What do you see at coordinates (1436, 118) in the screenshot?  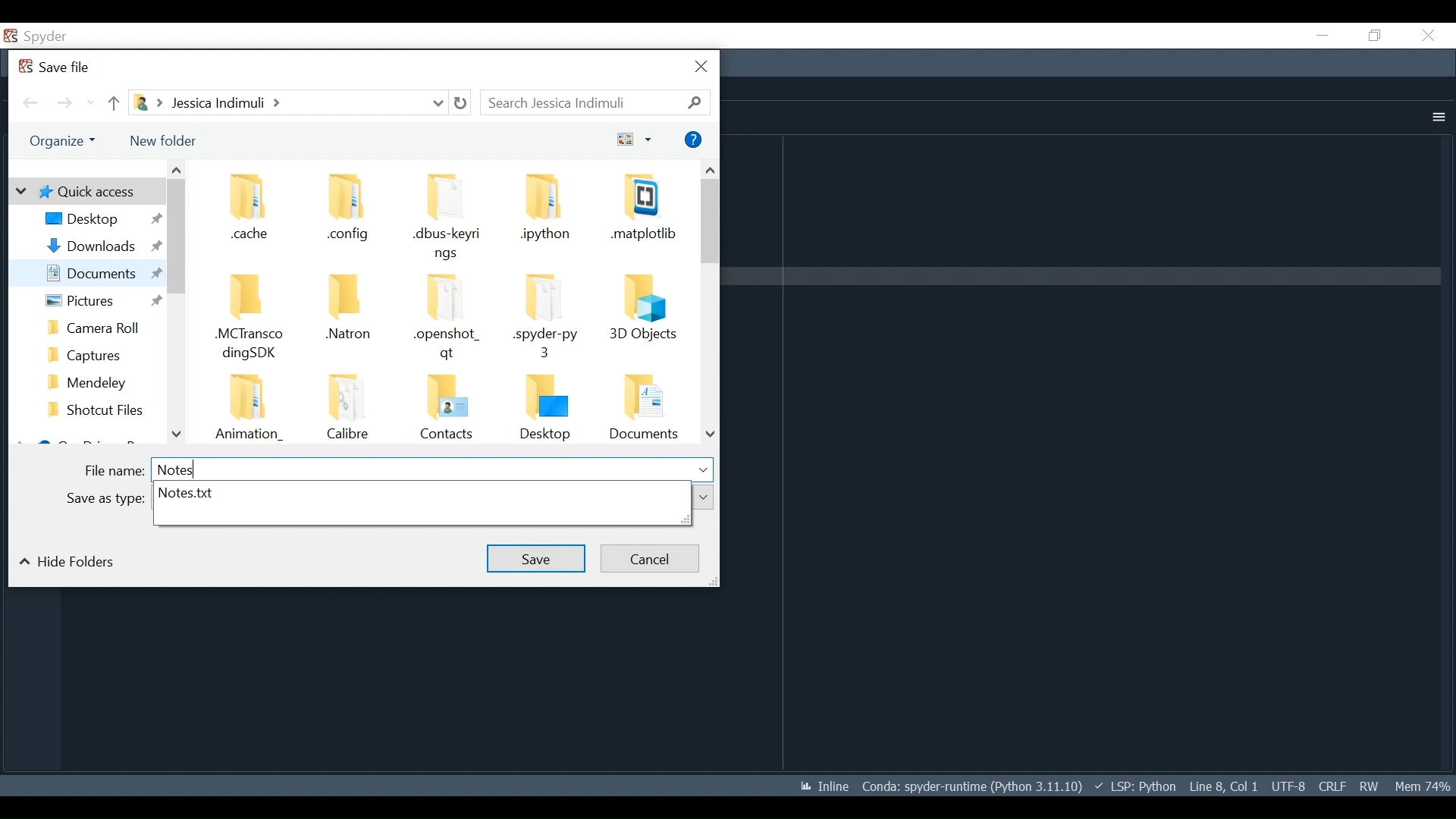 I see `More Options` at bounding box center [1436, 118].